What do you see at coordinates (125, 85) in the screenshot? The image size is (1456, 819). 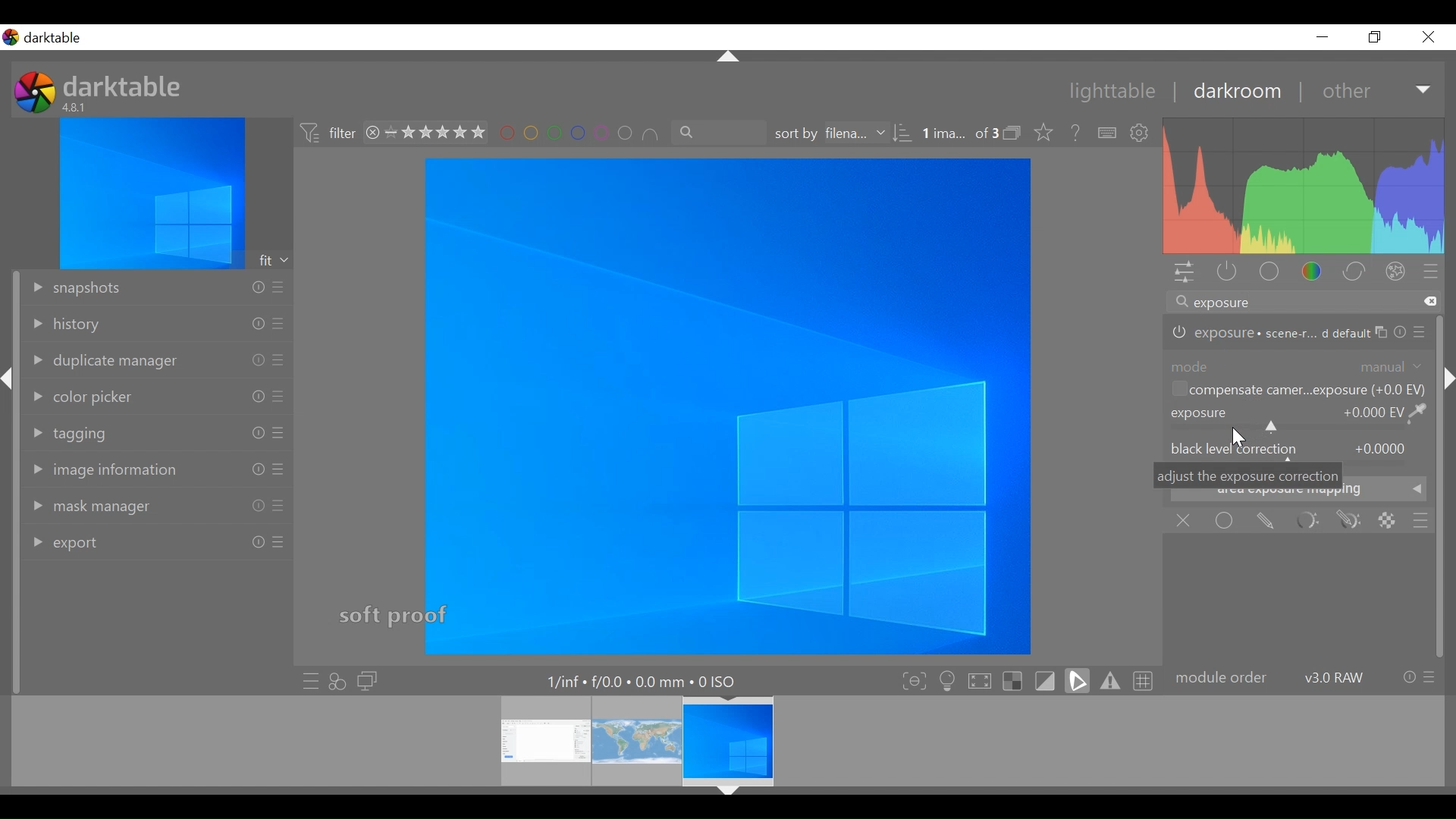 I see `darktable` at bounding box center [125, 85].